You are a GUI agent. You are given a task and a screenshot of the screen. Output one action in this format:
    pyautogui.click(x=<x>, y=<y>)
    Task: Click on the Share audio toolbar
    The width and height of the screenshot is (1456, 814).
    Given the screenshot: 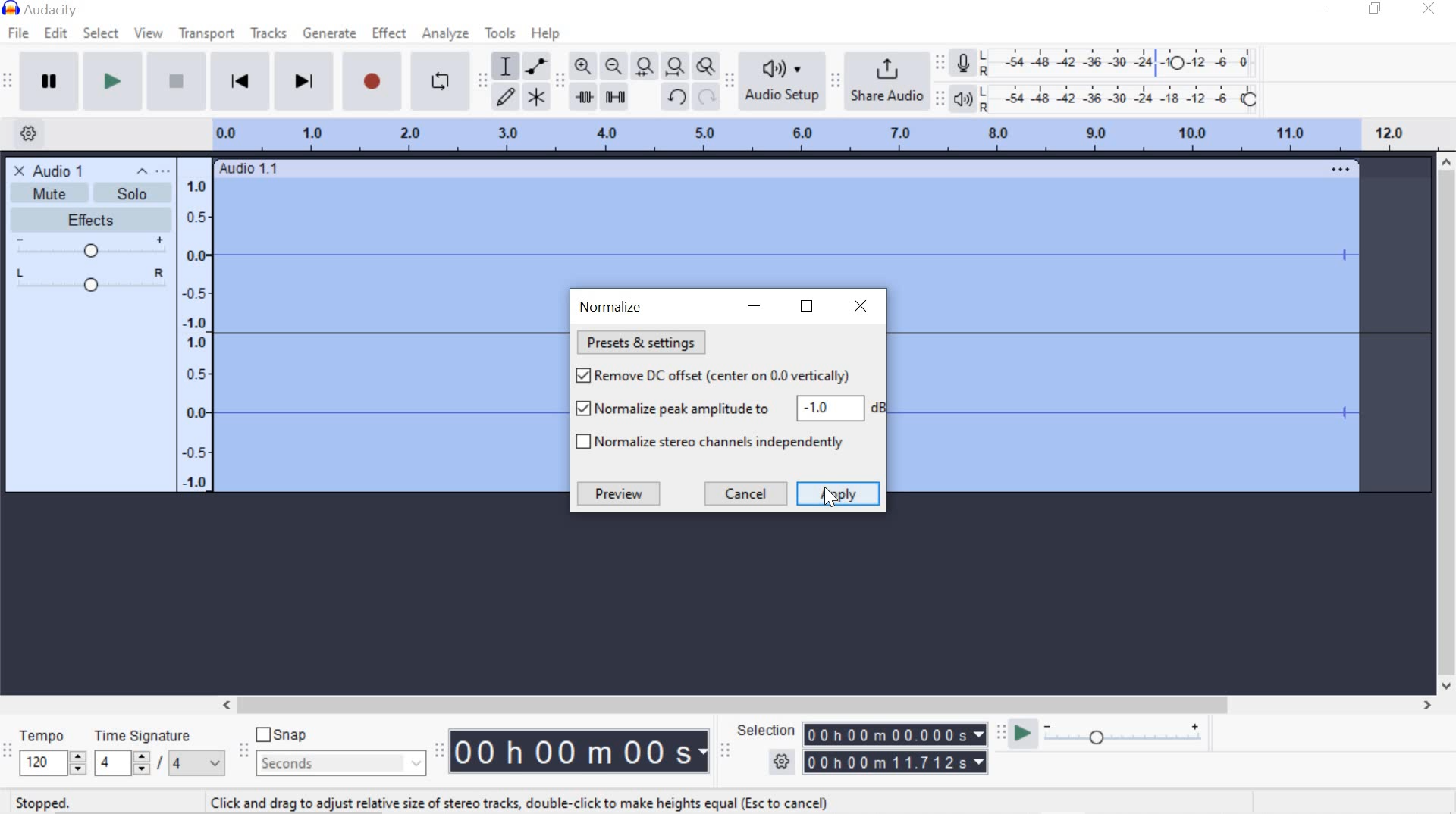 What is the action you would take?
    pyautogui.click(x=834, y=80)
    